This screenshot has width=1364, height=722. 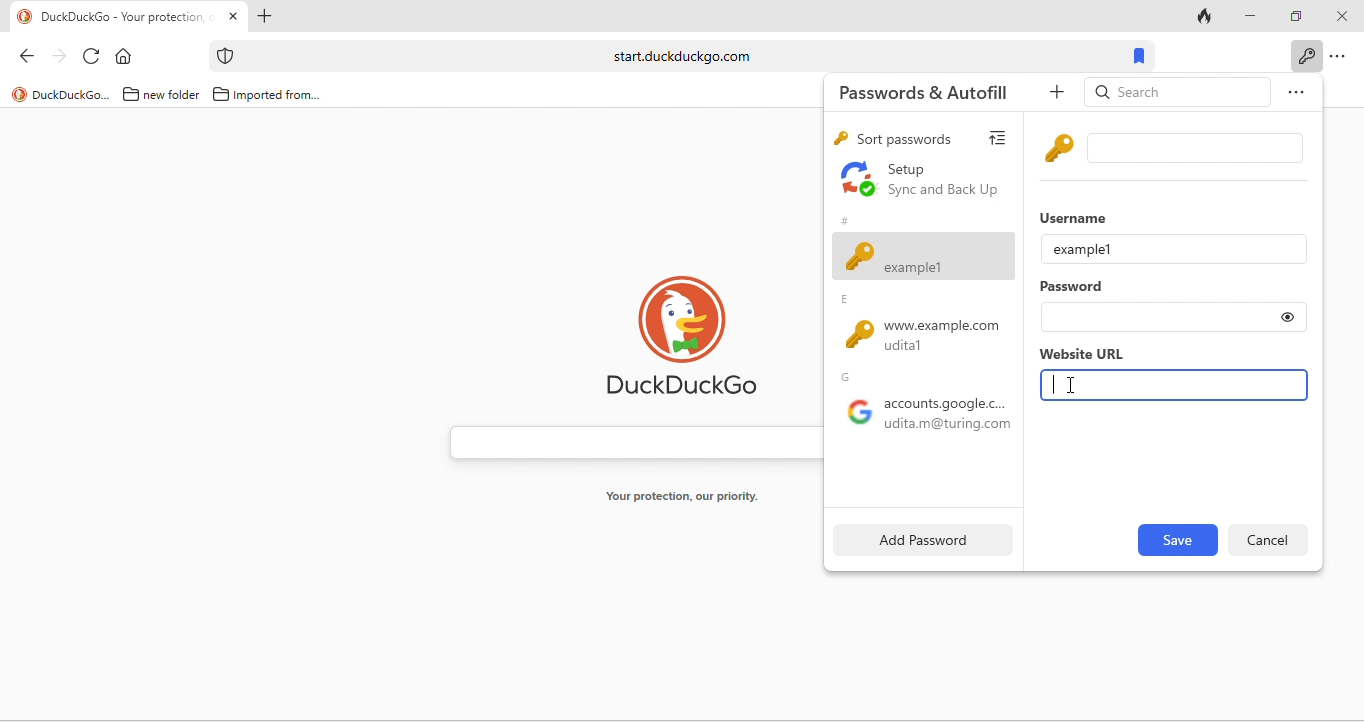 I want to click on input box, so click(x=1199, y=148).